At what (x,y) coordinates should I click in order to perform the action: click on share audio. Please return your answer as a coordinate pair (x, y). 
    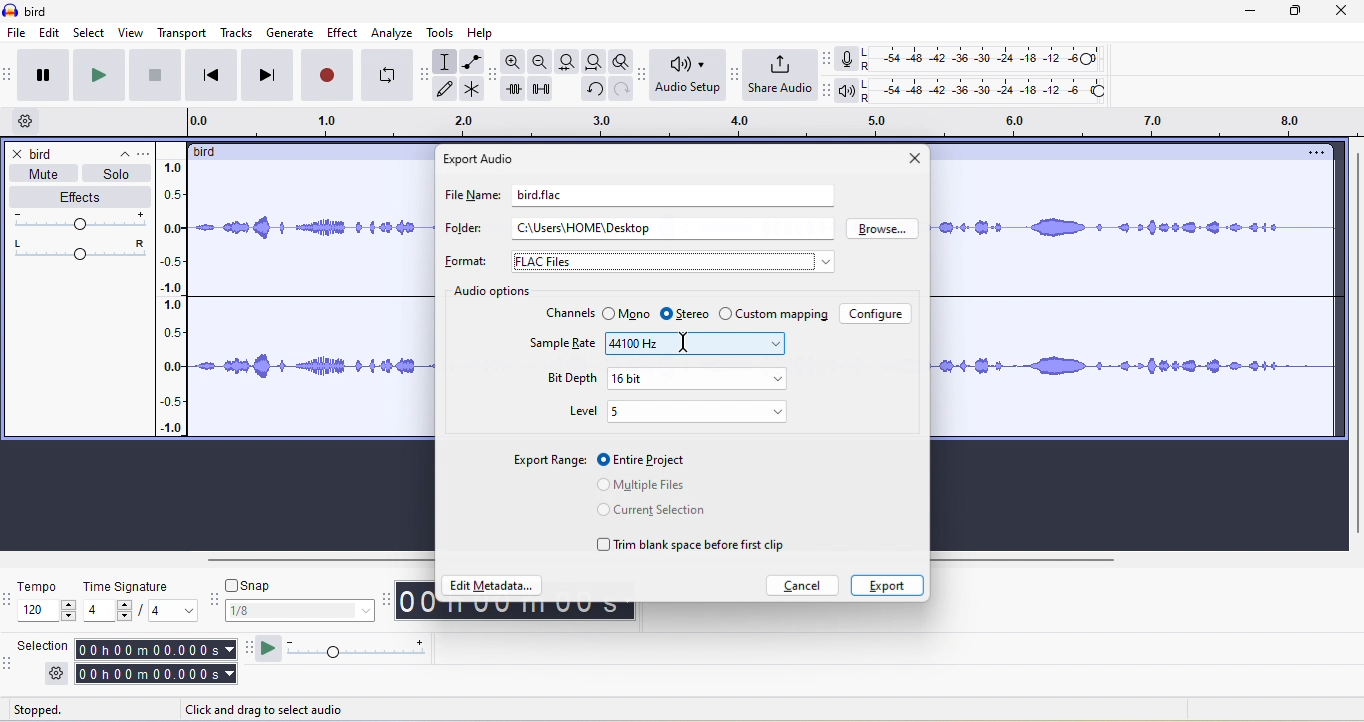
    Looking at the image, I should click on (778, 76).